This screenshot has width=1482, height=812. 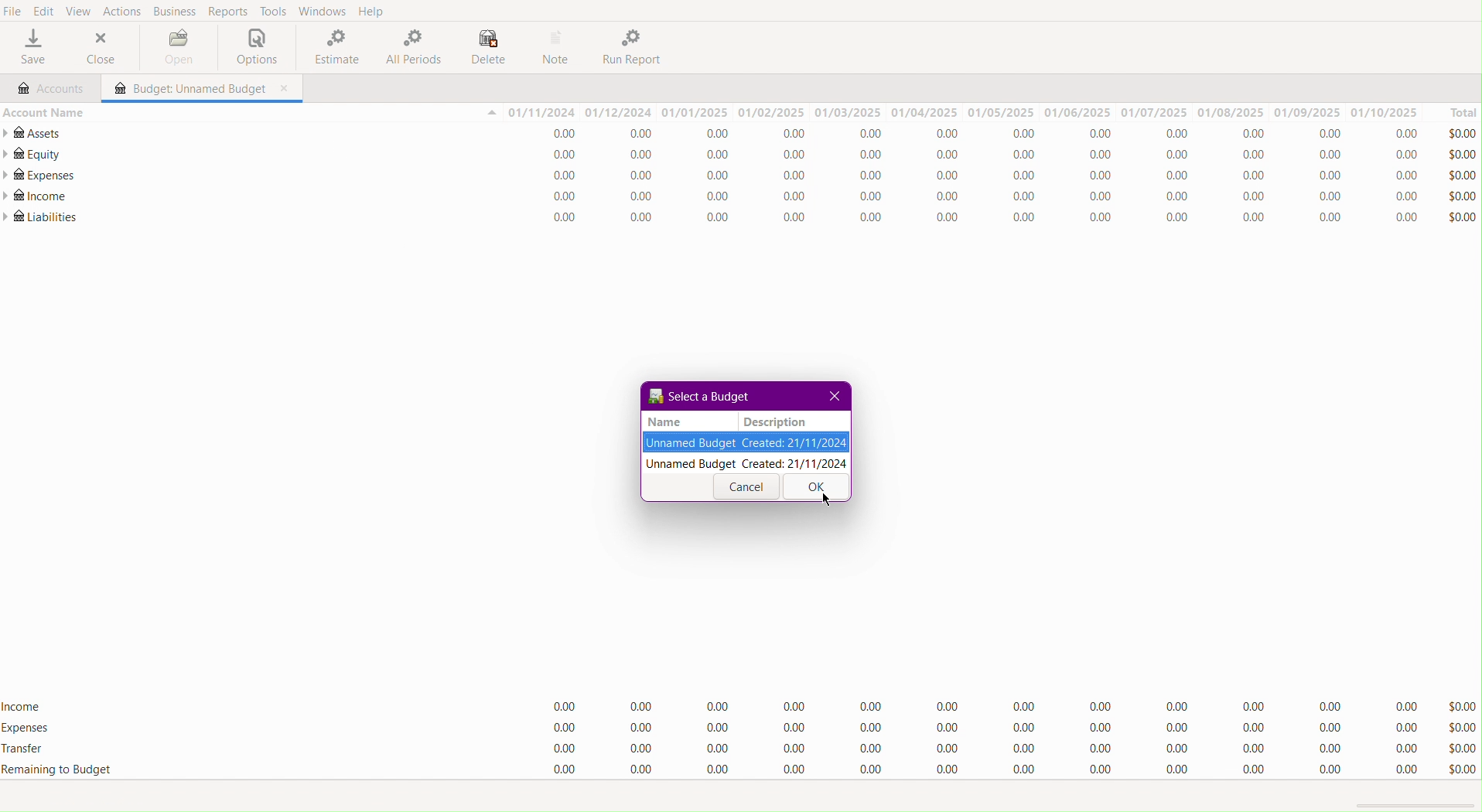 I want to click on Equity, so click(x=32, y=154).